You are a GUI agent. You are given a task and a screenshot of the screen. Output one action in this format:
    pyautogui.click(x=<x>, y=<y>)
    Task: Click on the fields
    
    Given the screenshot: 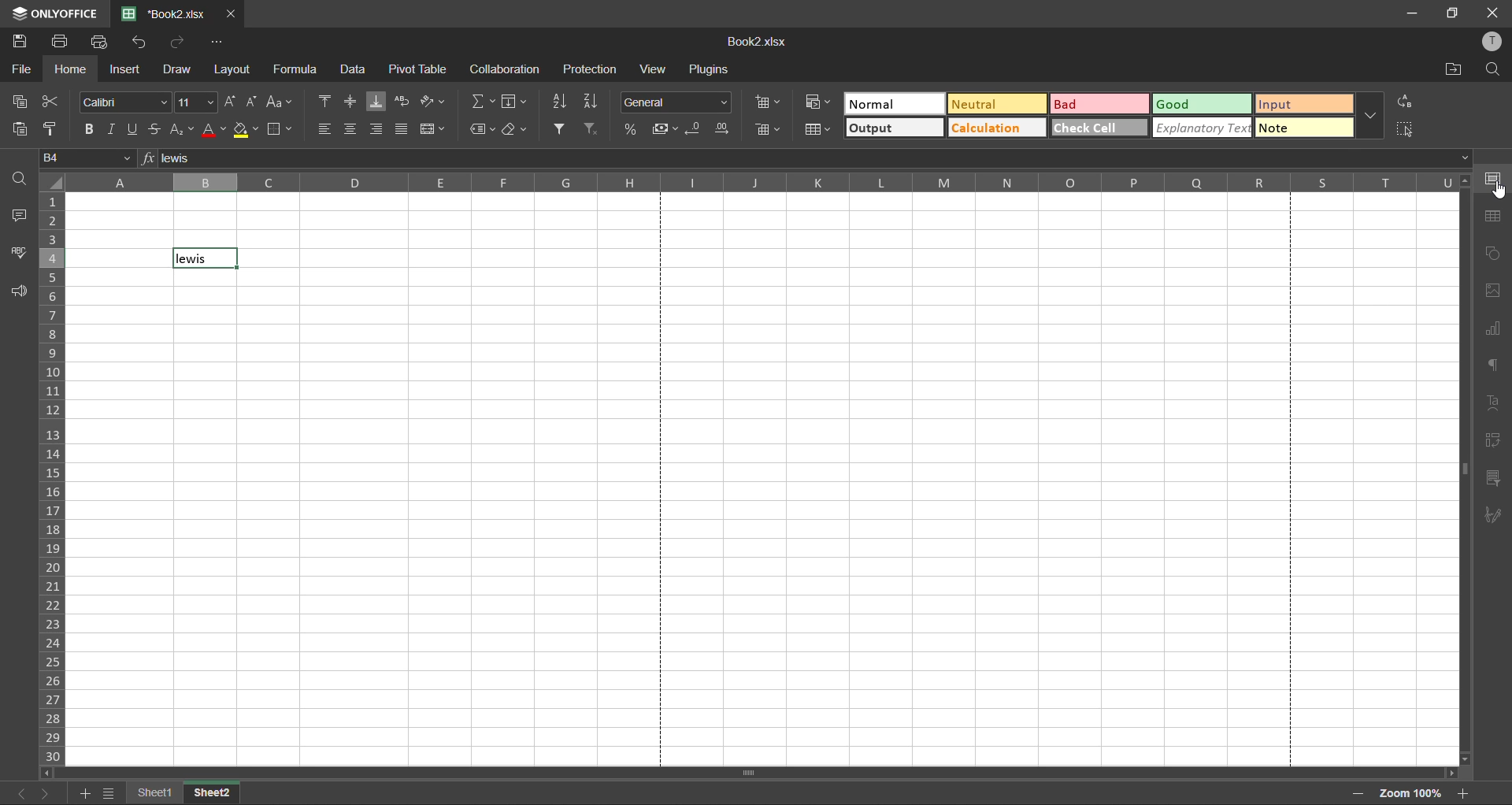 What is the action you would take?
    pyautogui.click(x=516, y=102)
    